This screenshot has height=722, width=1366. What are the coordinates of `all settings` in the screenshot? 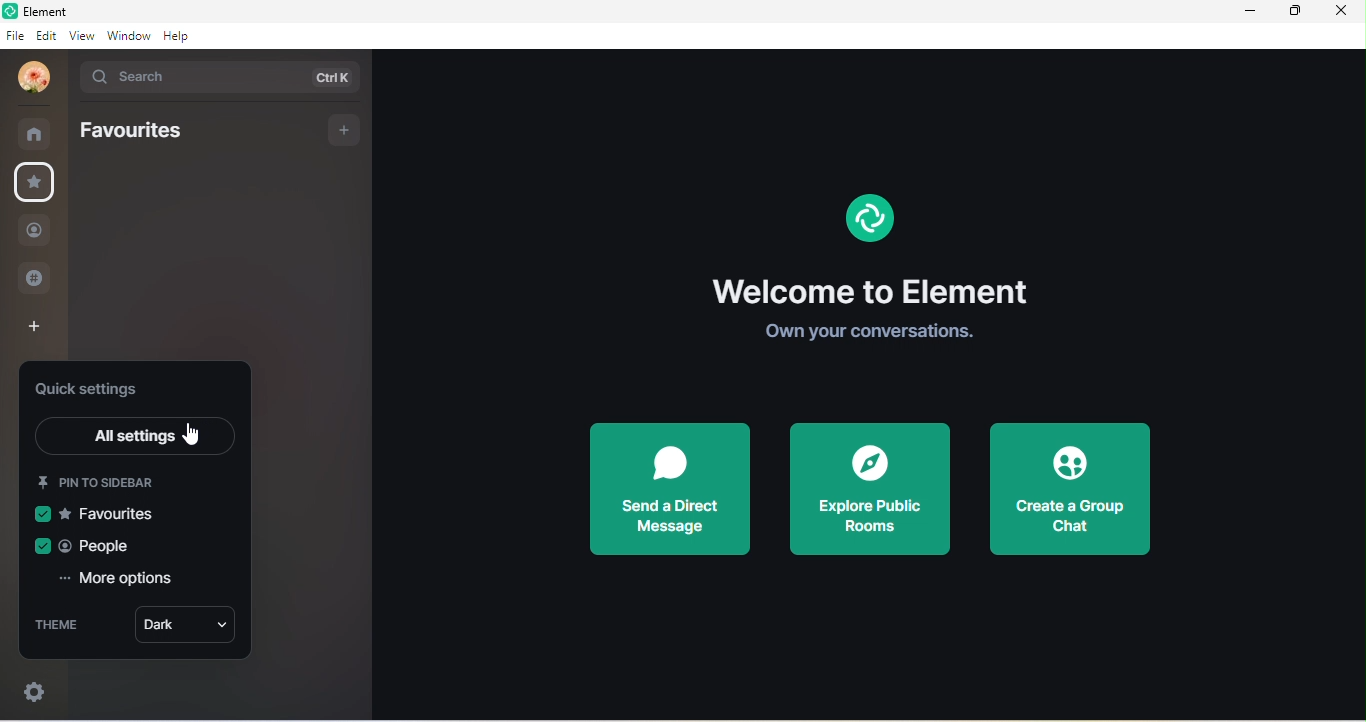 It's located at (136, 434).